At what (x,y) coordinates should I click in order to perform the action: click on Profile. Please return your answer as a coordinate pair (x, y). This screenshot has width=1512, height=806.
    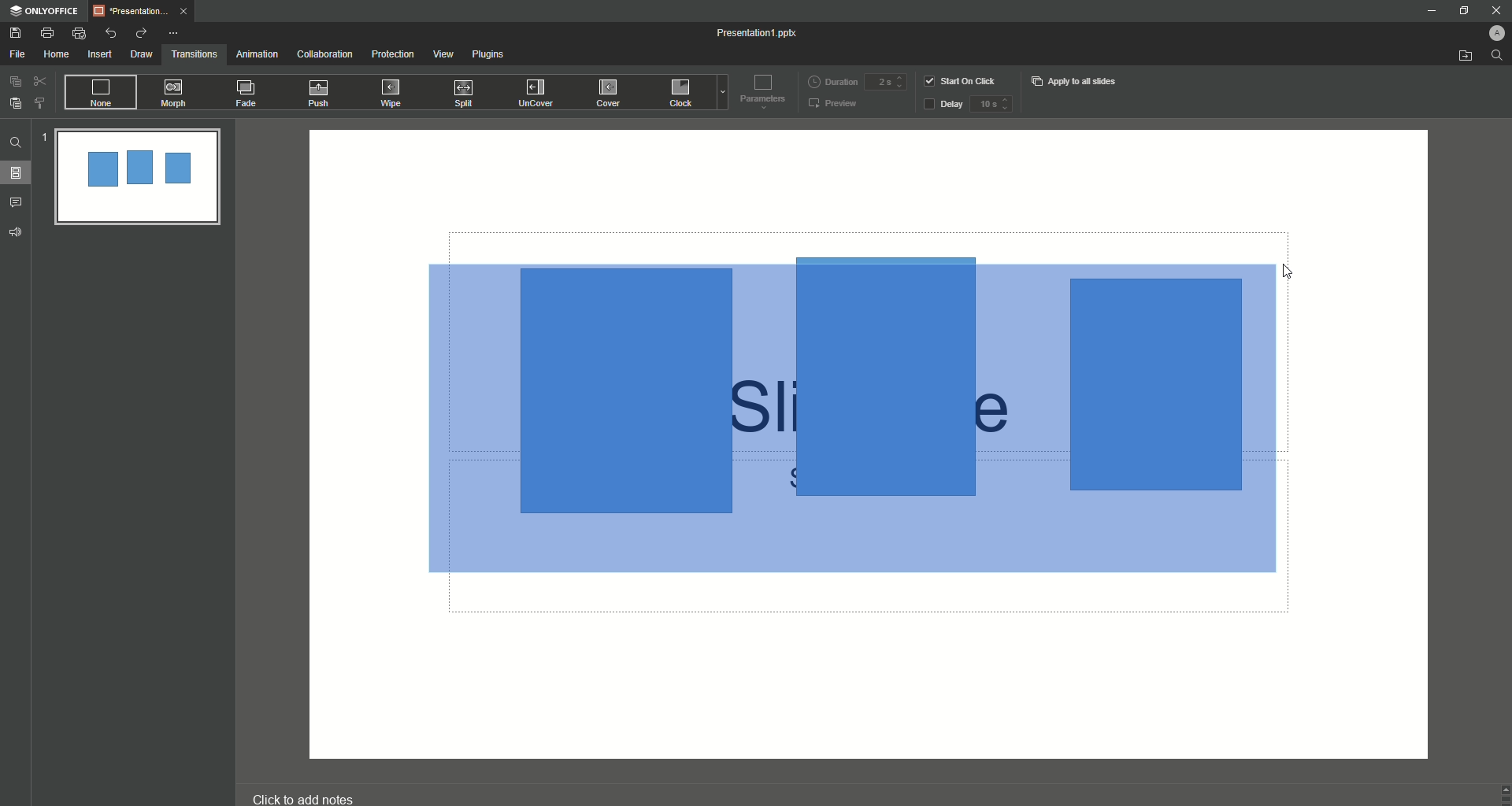
    Looking at the image, I should click on (1489, 31).